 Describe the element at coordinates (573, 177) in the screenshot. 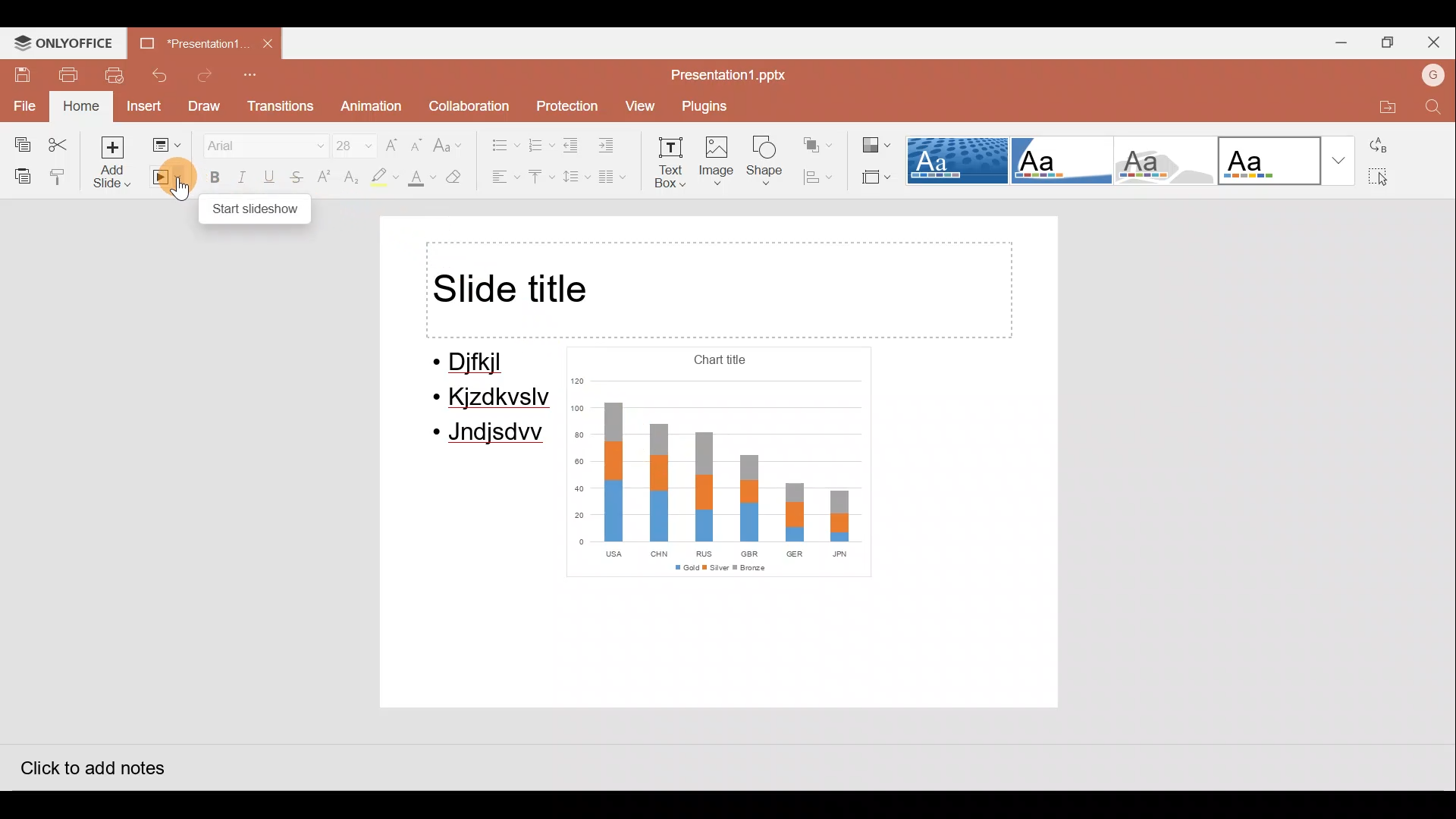

I see `Line spacing` at that location.